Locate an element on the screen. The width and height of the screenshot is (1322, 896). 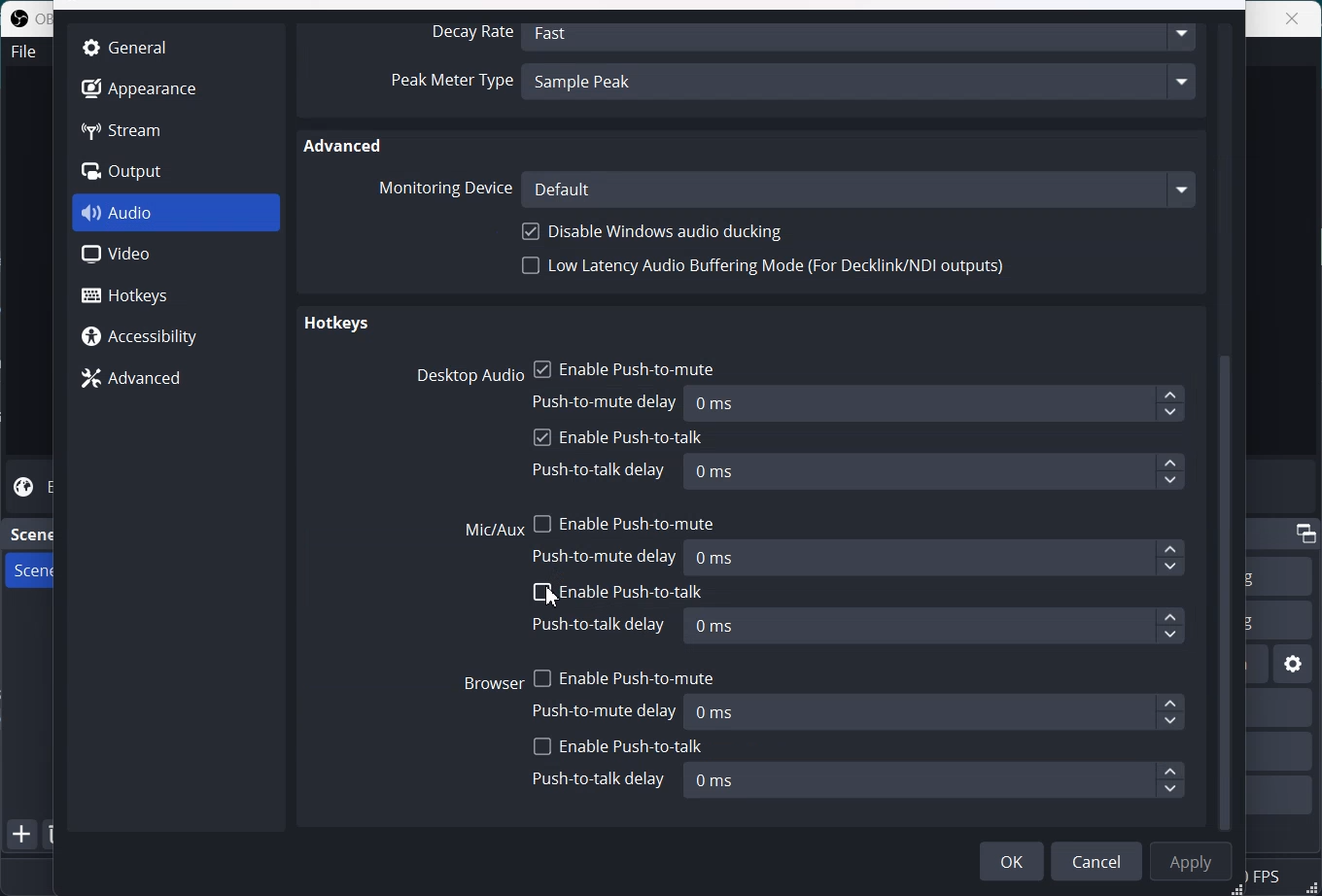
Push-to-mute delay is located at coordinates (608, 709).